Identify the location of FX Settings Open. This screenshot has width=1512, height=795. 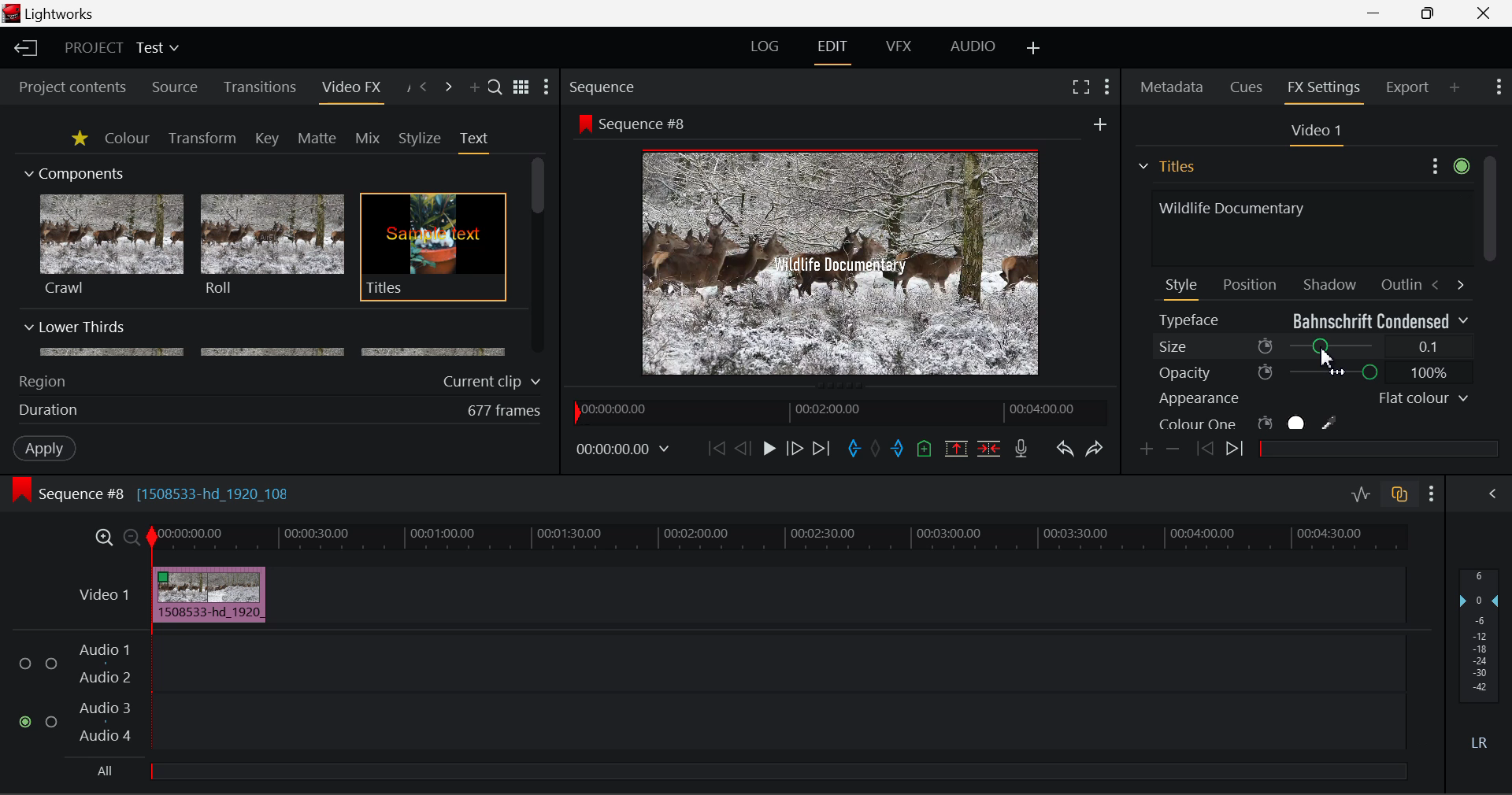
(1326, 90).